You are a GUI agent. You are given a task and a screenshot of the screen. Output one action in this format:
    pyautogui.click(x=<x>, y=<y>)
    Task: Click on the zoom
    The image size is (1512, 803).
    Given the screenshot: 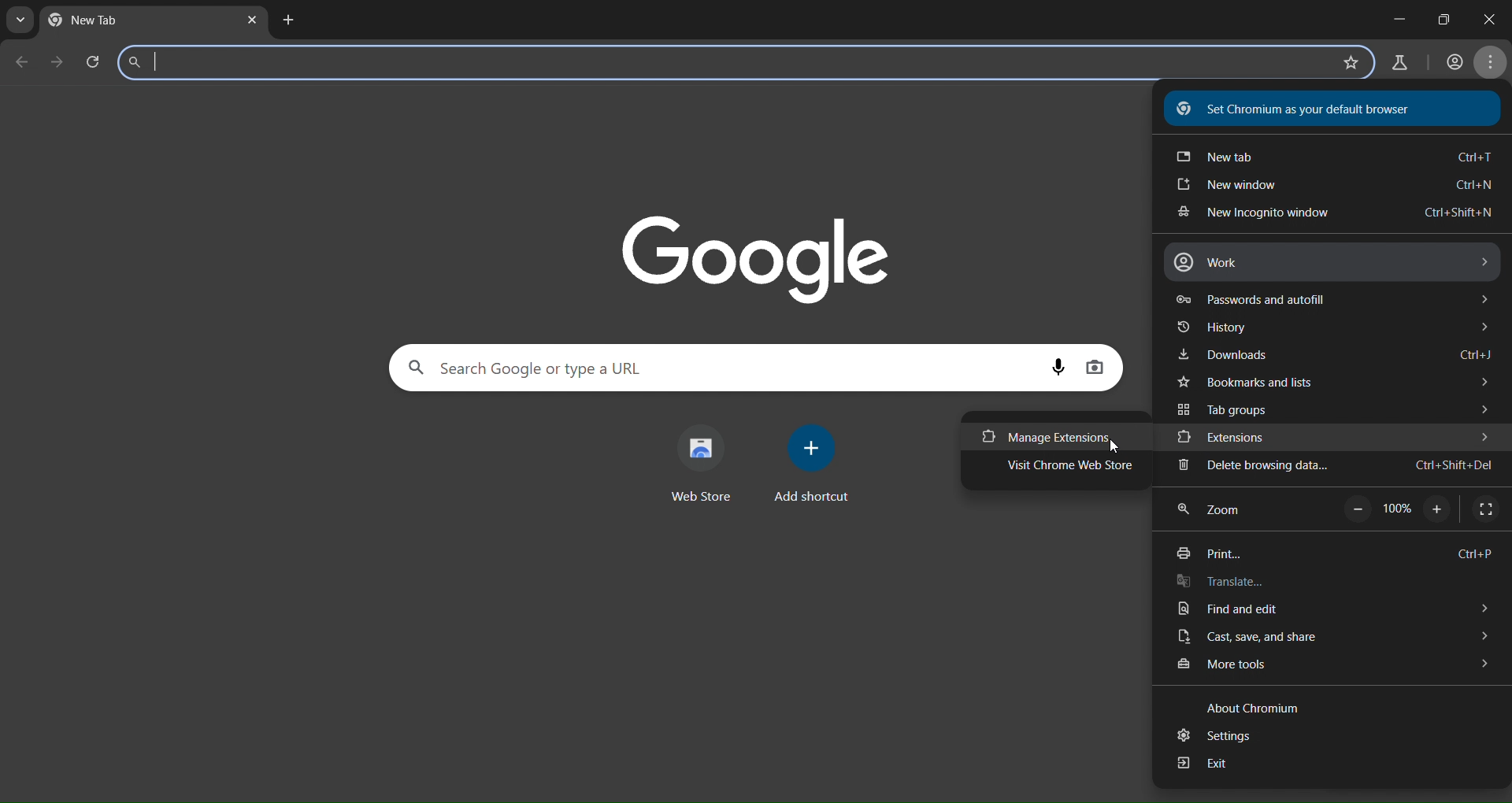 What is the action you would take?
    pyautogui.click(x=1217, y=510)
    